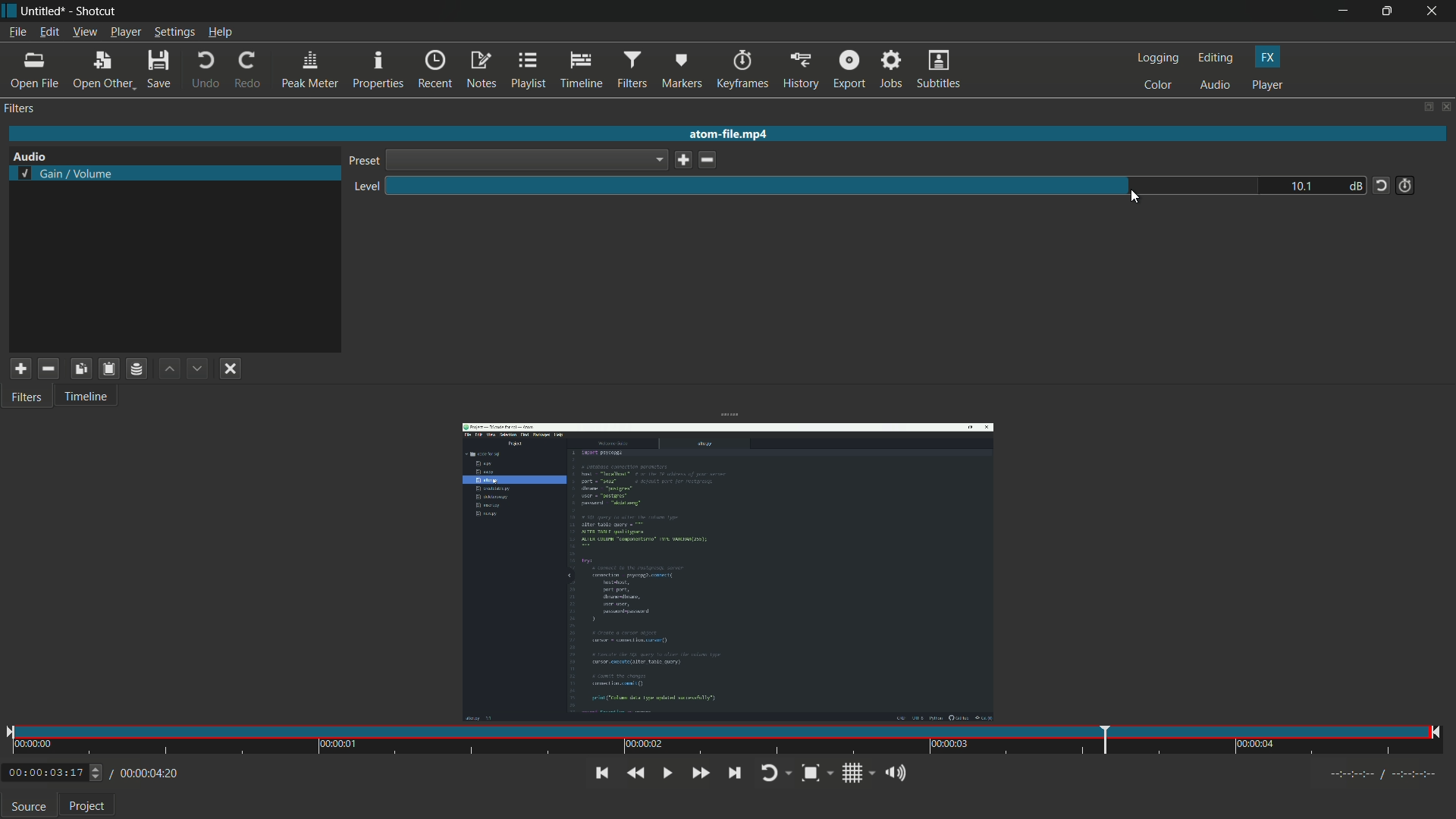  I want to click on app name, so click(94, 11).